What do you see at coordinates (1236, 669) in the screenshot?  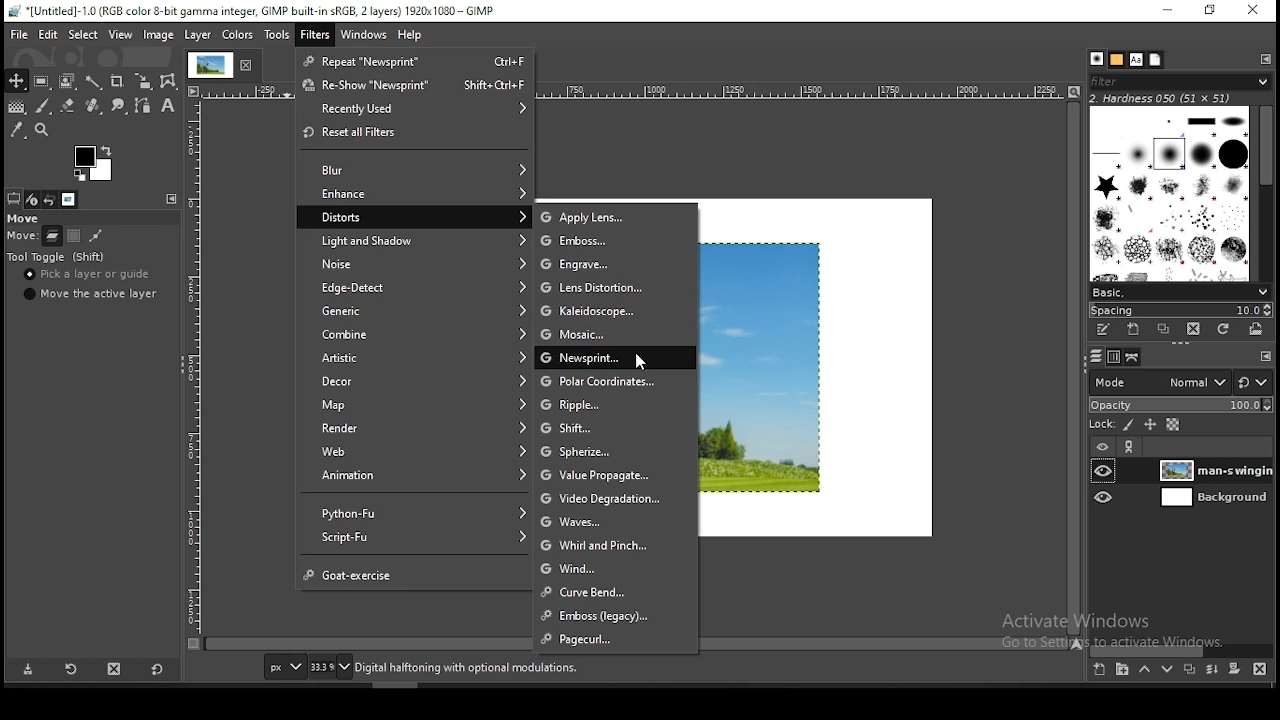 I see `add a mask` at bounding box center [1236, 669].